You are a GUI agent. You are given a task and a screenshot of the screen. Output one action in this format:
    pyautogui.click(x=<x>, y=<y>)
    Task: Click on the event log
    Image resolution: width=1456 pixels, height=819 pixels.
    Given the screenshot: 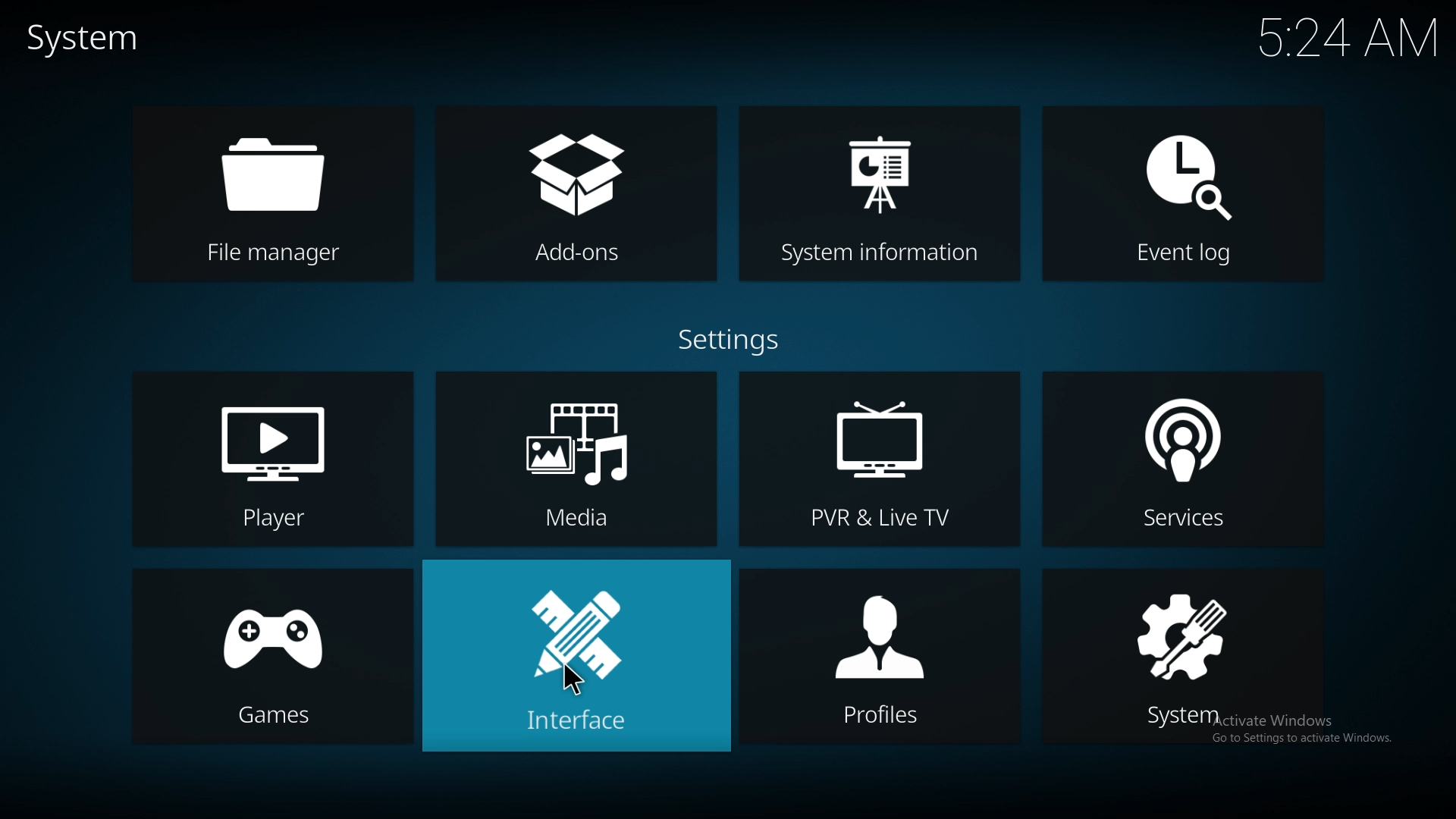 What is the action you would take?
    pyautogui.click(x=1185, y=196)
    